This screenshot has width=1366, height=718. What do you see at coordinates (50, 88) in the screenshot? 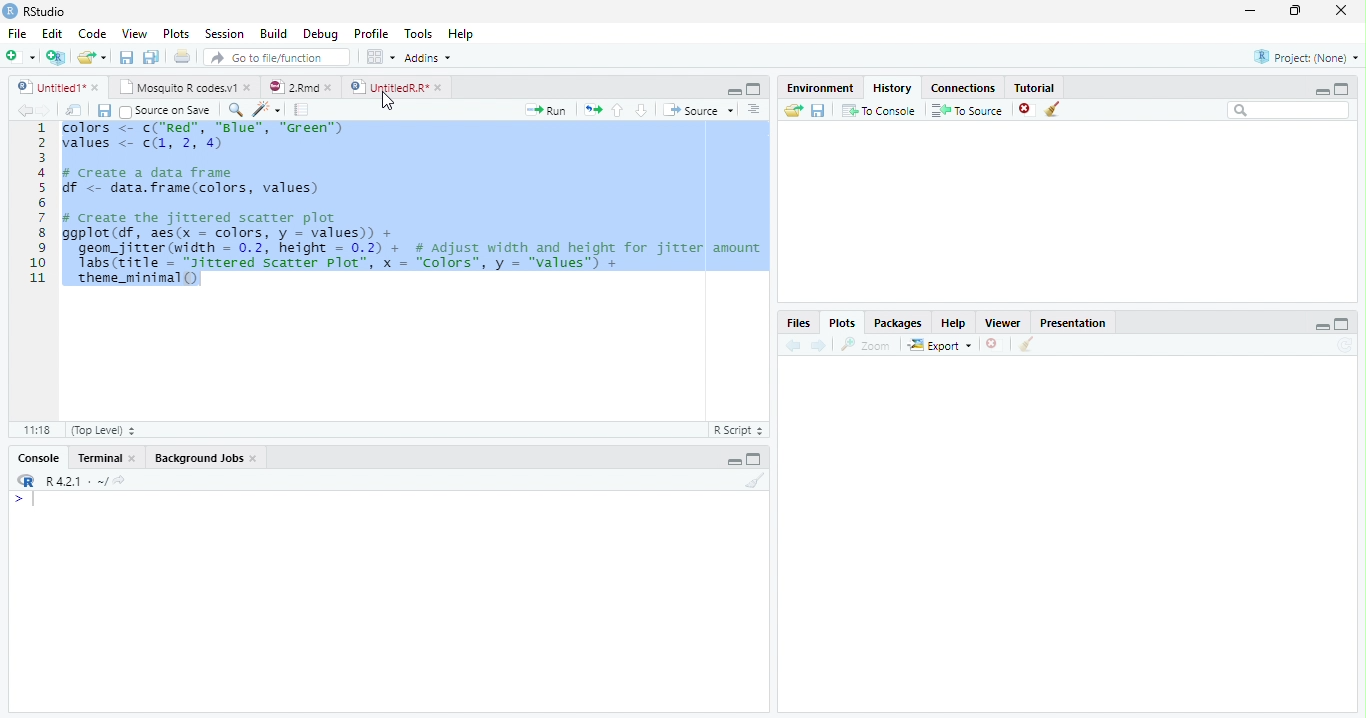
I see `Untitled1*` at bounding box center [50, 88].